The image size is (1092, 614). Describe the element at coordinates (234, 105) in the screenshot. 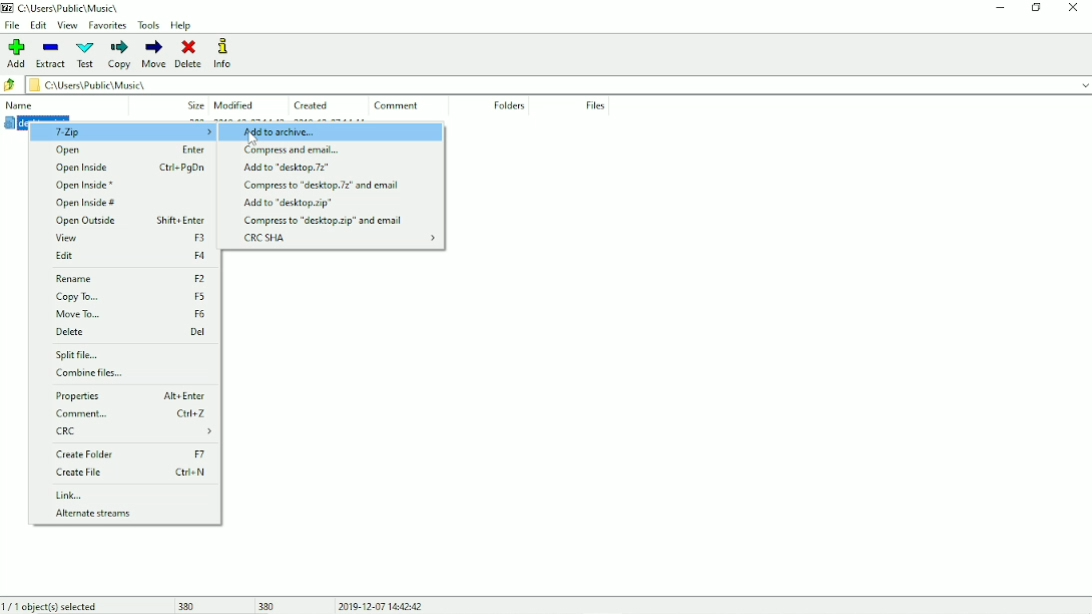

I see `Modified` at that location.